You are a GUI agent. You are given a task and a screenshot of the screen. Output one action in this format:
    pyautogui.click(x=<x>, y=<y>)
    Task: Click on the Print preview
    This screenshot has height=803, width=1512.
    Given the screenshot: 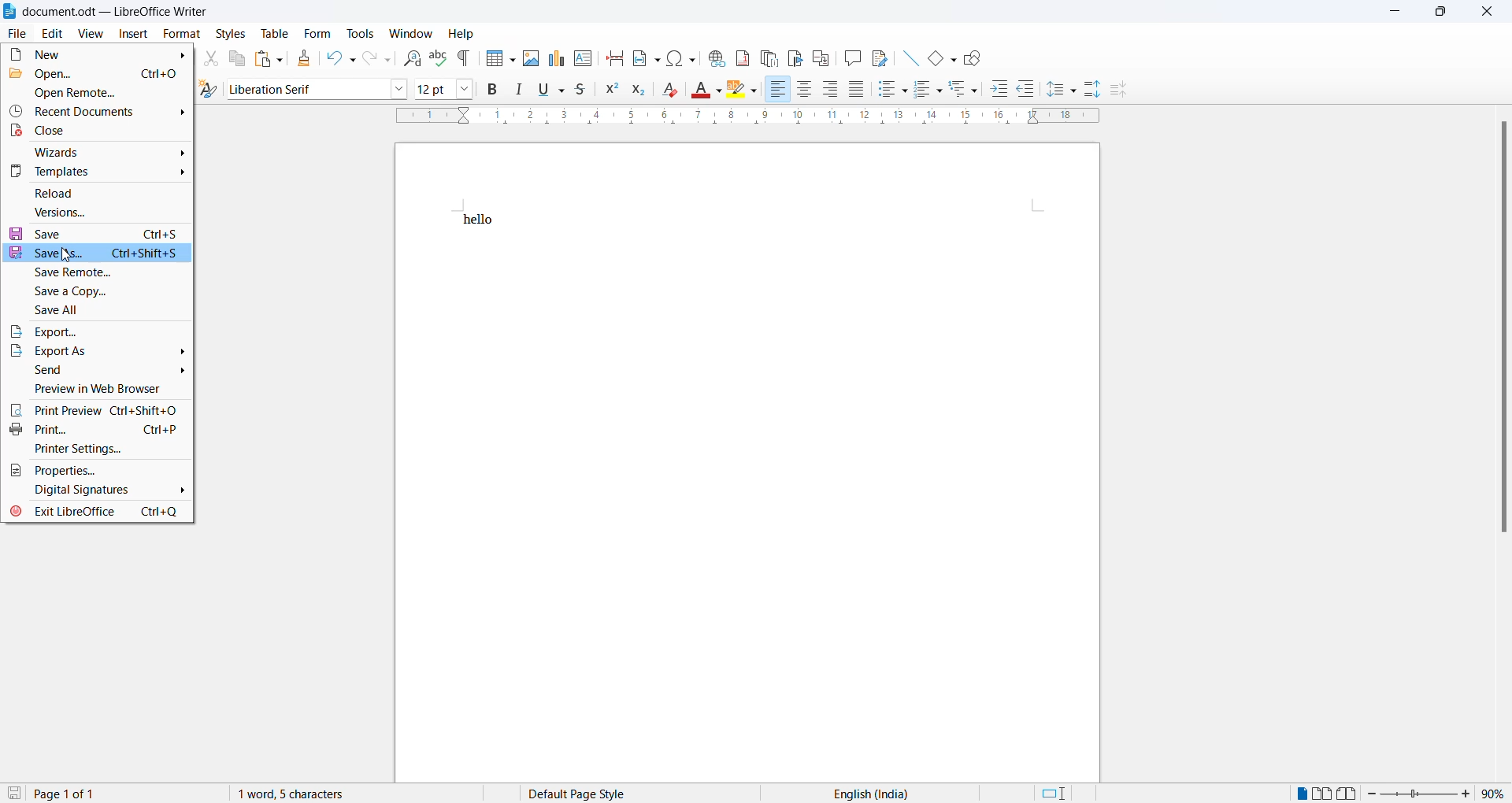 What is the action you would take?
    pyautogui.click(x=98, y=411)
    